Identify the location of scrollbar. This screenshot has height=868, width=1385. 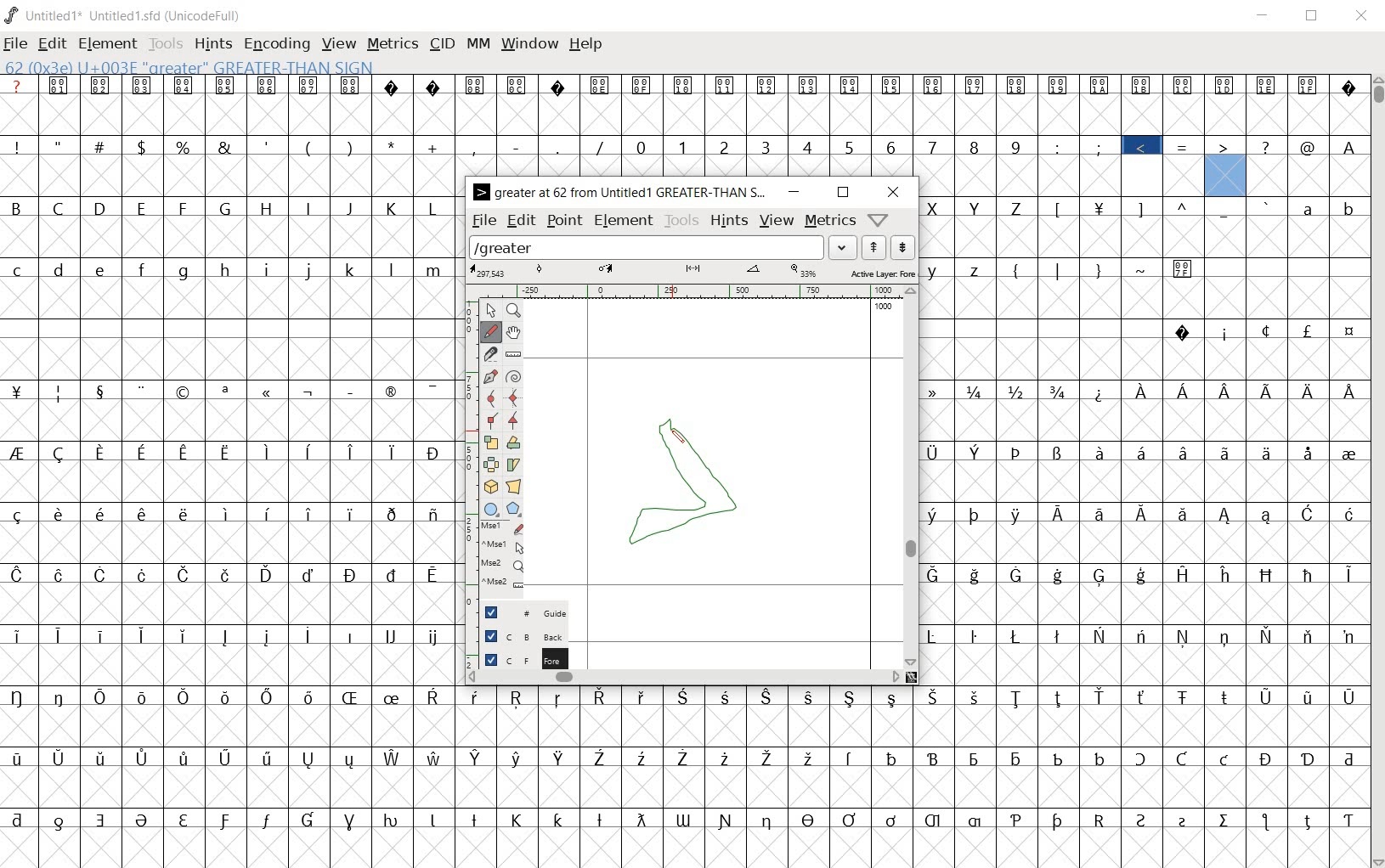
(1377, 471).